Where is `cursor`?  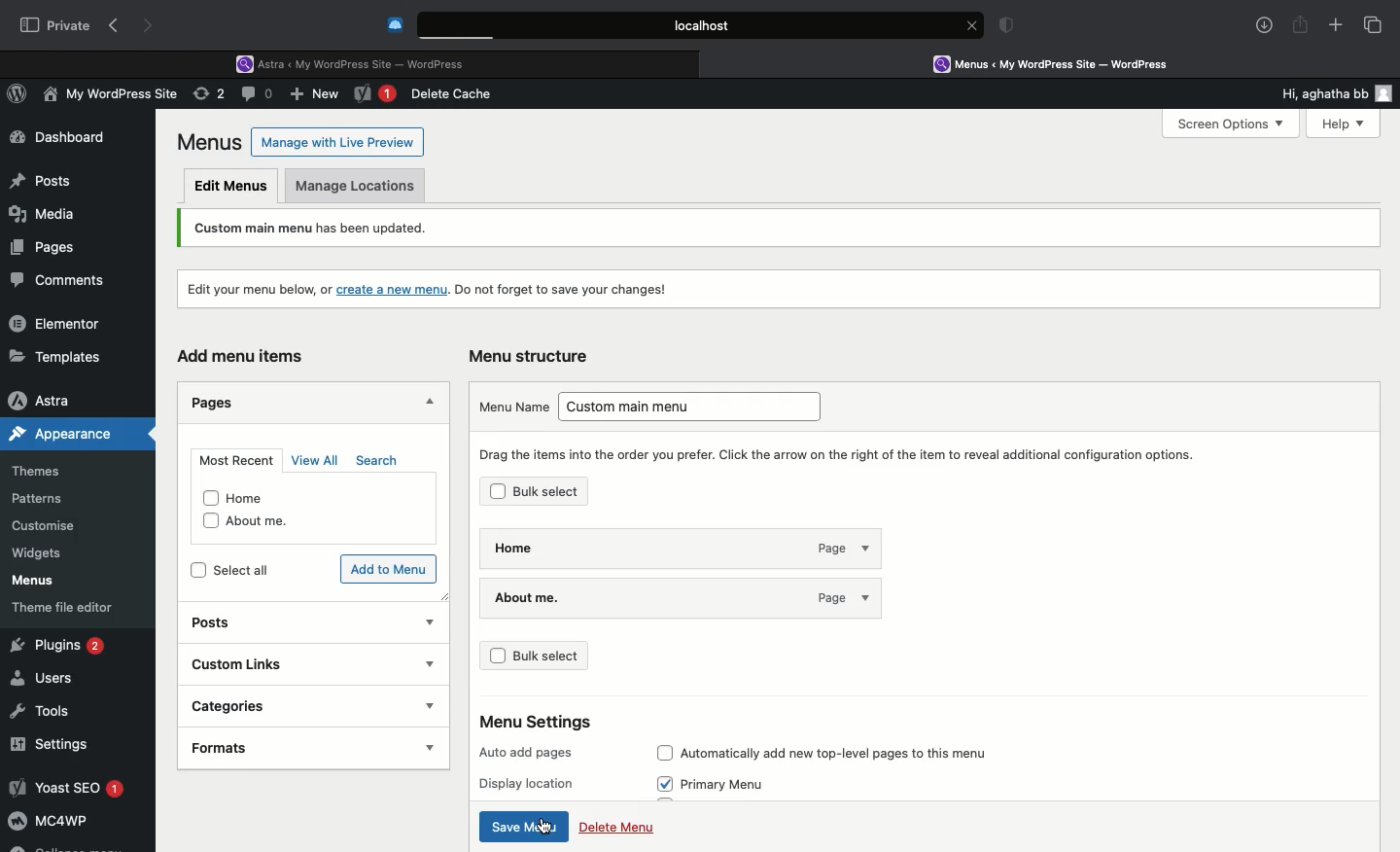
cursor is located at coordinates (542, 827).